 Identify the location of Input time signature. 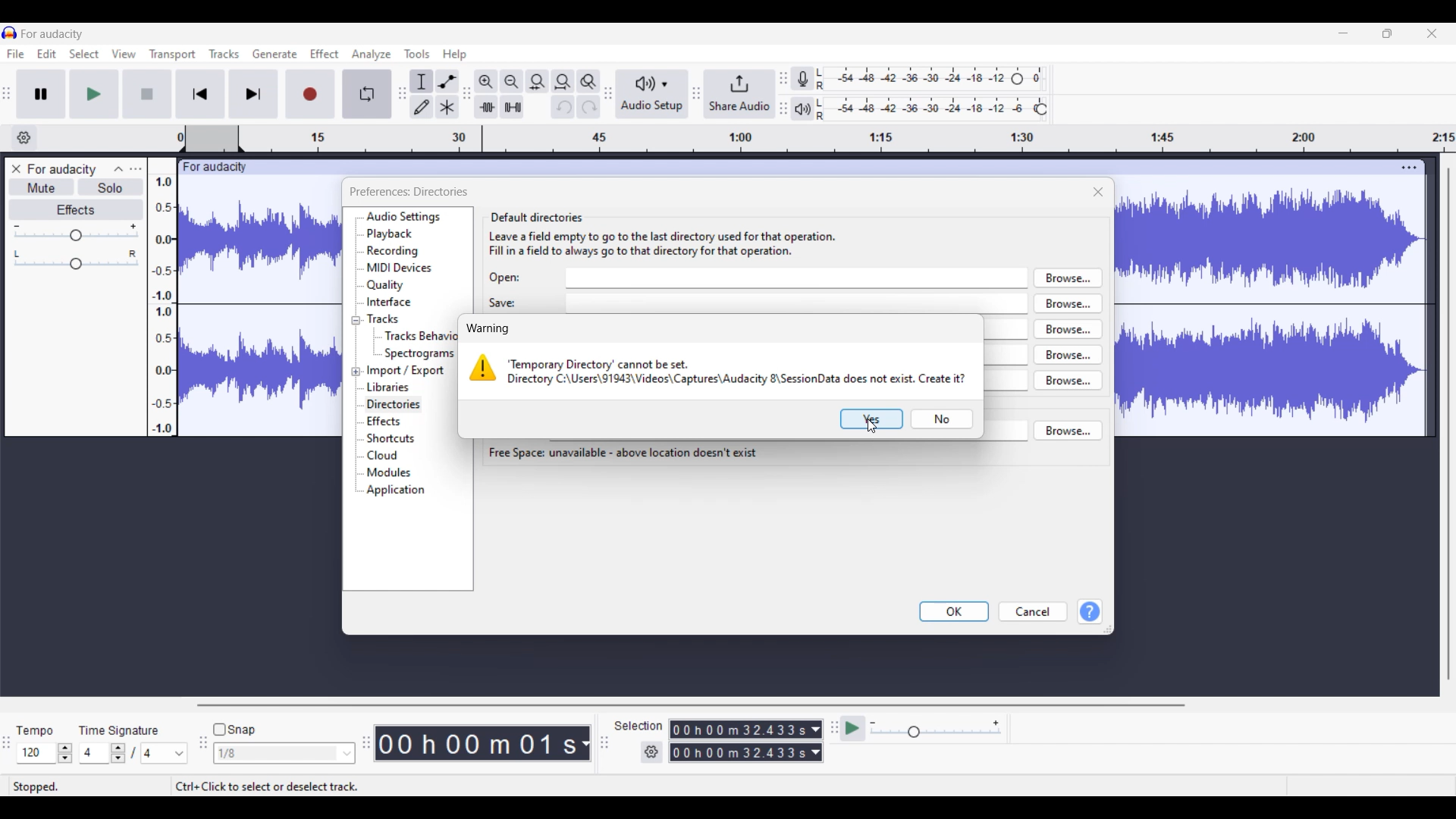
(94, 753).